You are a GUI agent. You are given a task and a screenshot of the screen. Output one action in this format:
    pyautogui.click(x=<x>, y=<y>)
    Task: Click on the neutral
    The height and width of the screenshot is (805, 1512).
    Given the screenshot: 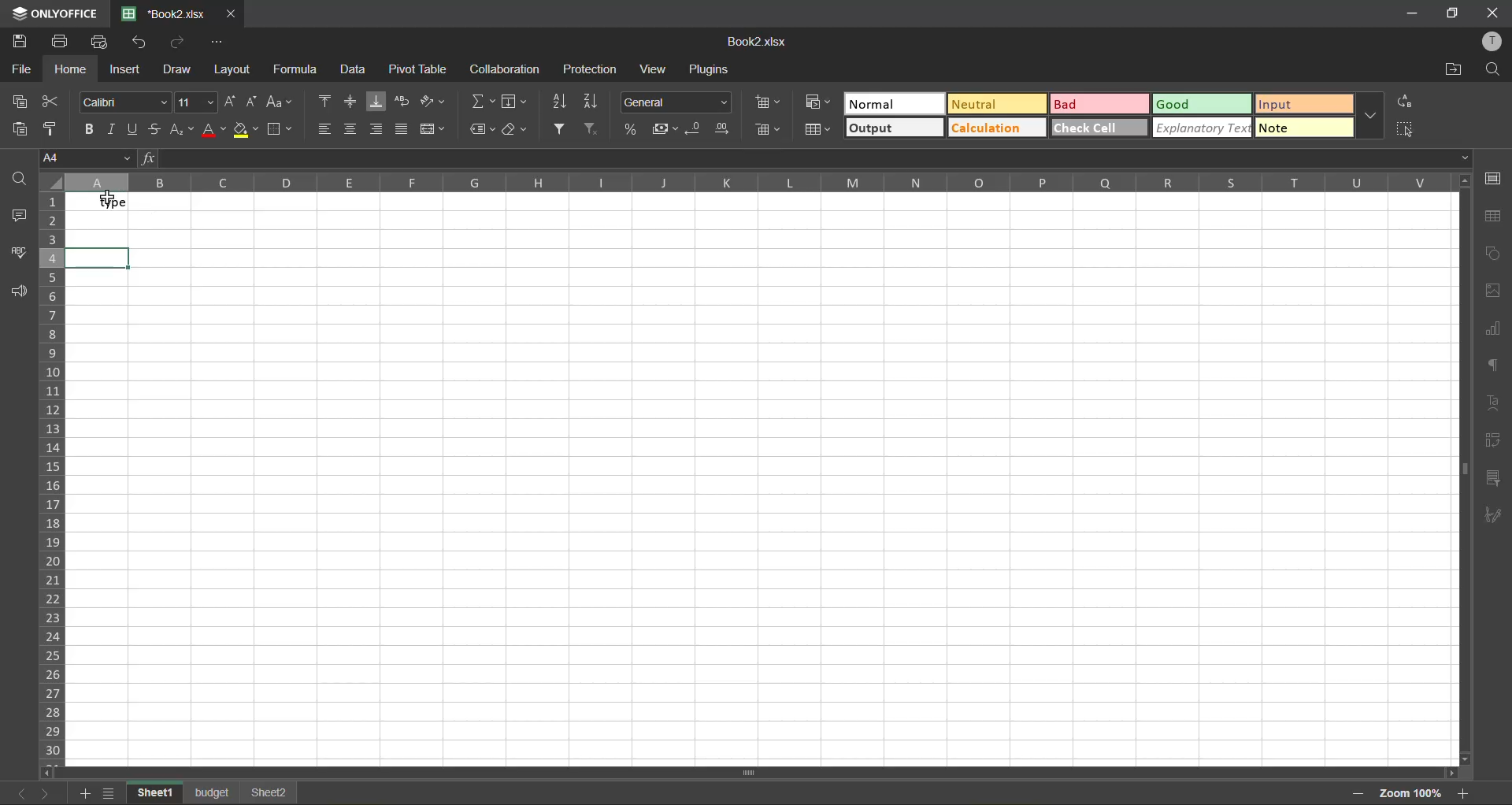 What is the action you would take?
    pyautogui.click(x=996, y=104)
    